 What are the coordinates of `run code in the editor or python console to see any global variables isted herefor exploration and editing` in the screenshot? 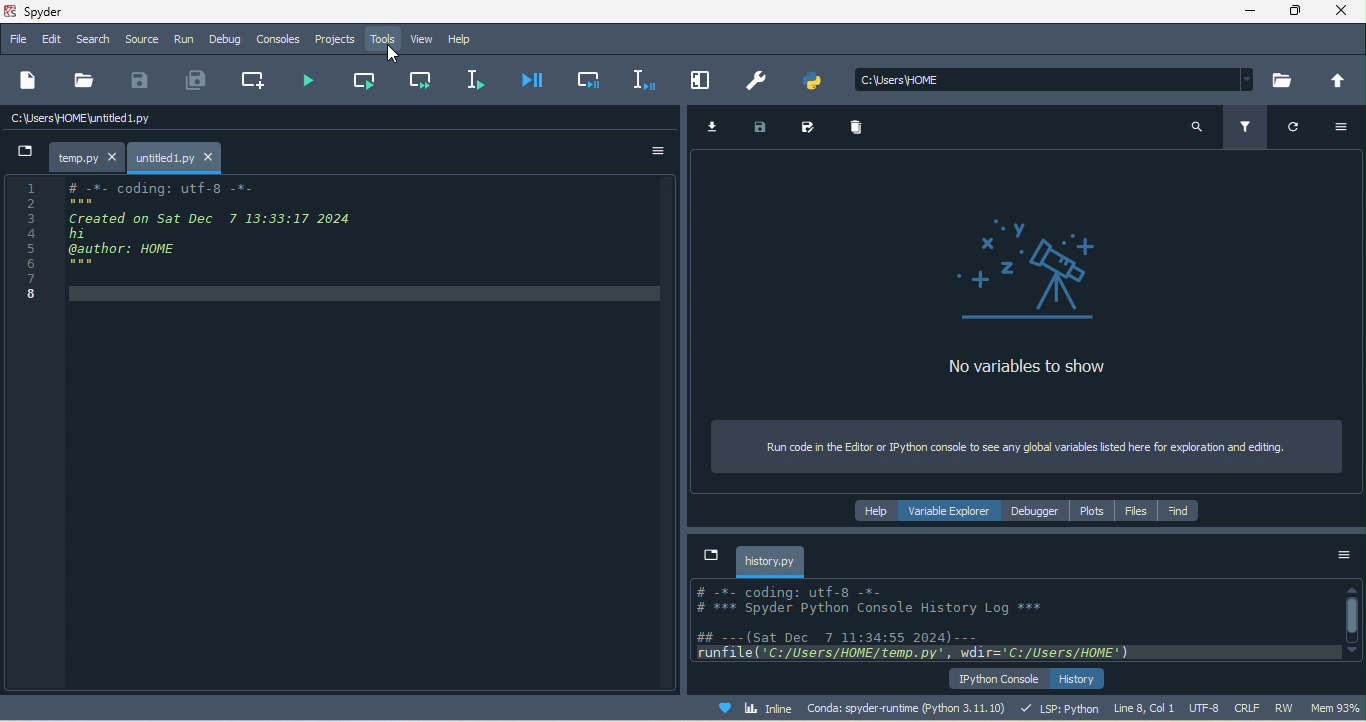 It's located at (1023, 446).